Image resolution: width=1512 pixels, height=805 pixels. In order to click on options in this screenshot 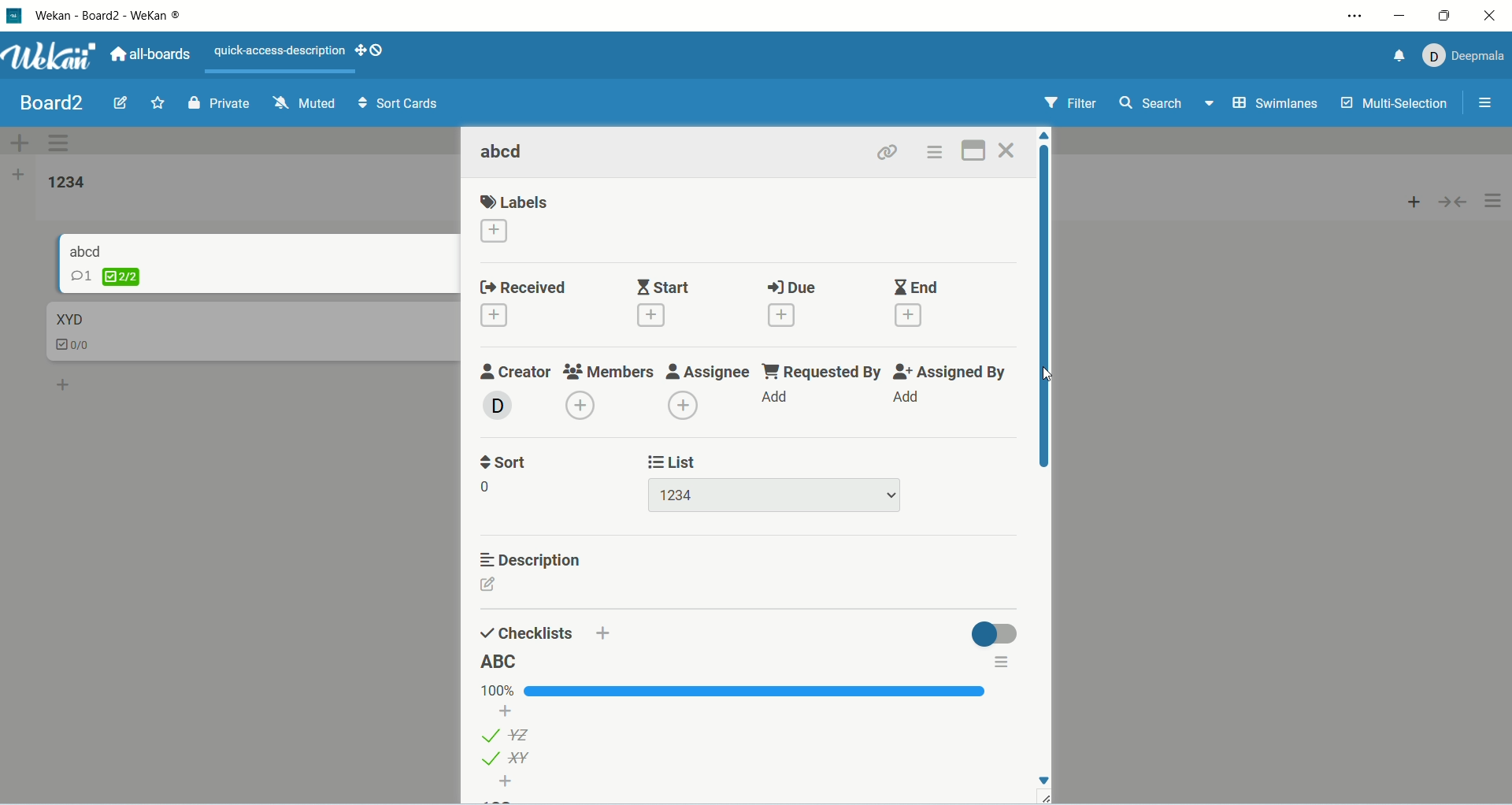, I will do `click(1000, 663)`.